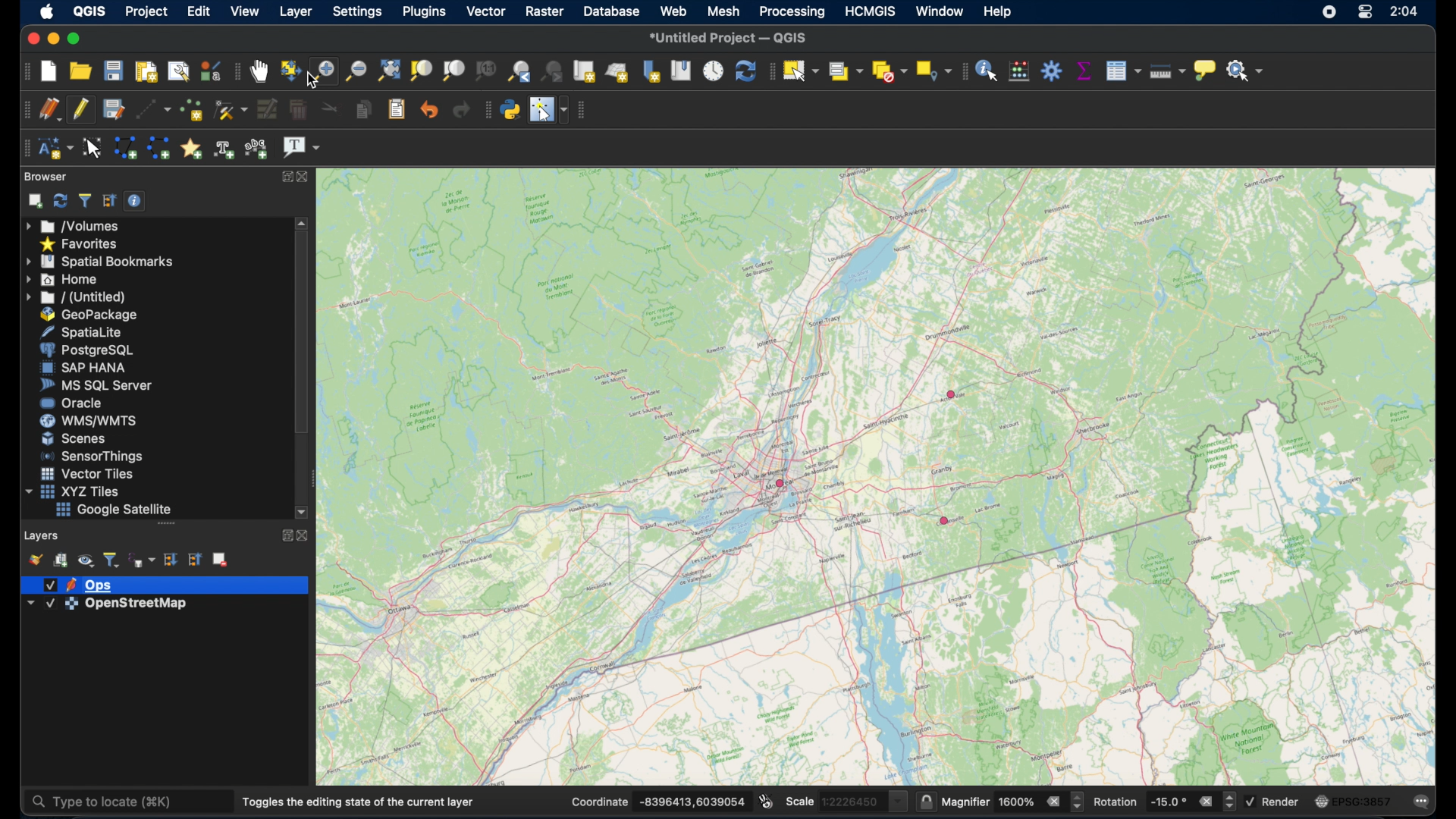 The height and width of the screenshot is (819, 1456). I want to click on google satellite, so click(113, 510).